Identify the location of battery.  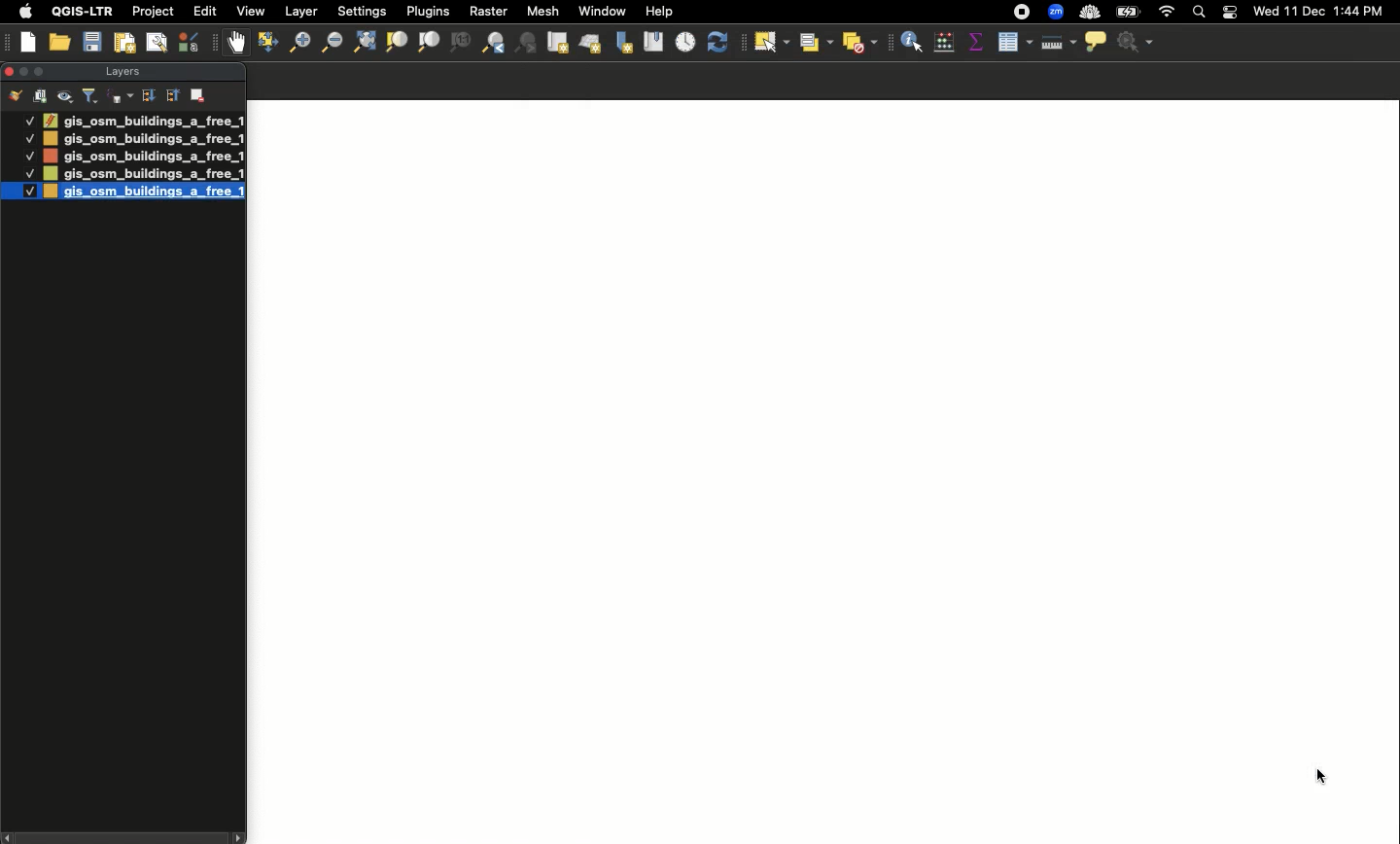
(1132, 11).